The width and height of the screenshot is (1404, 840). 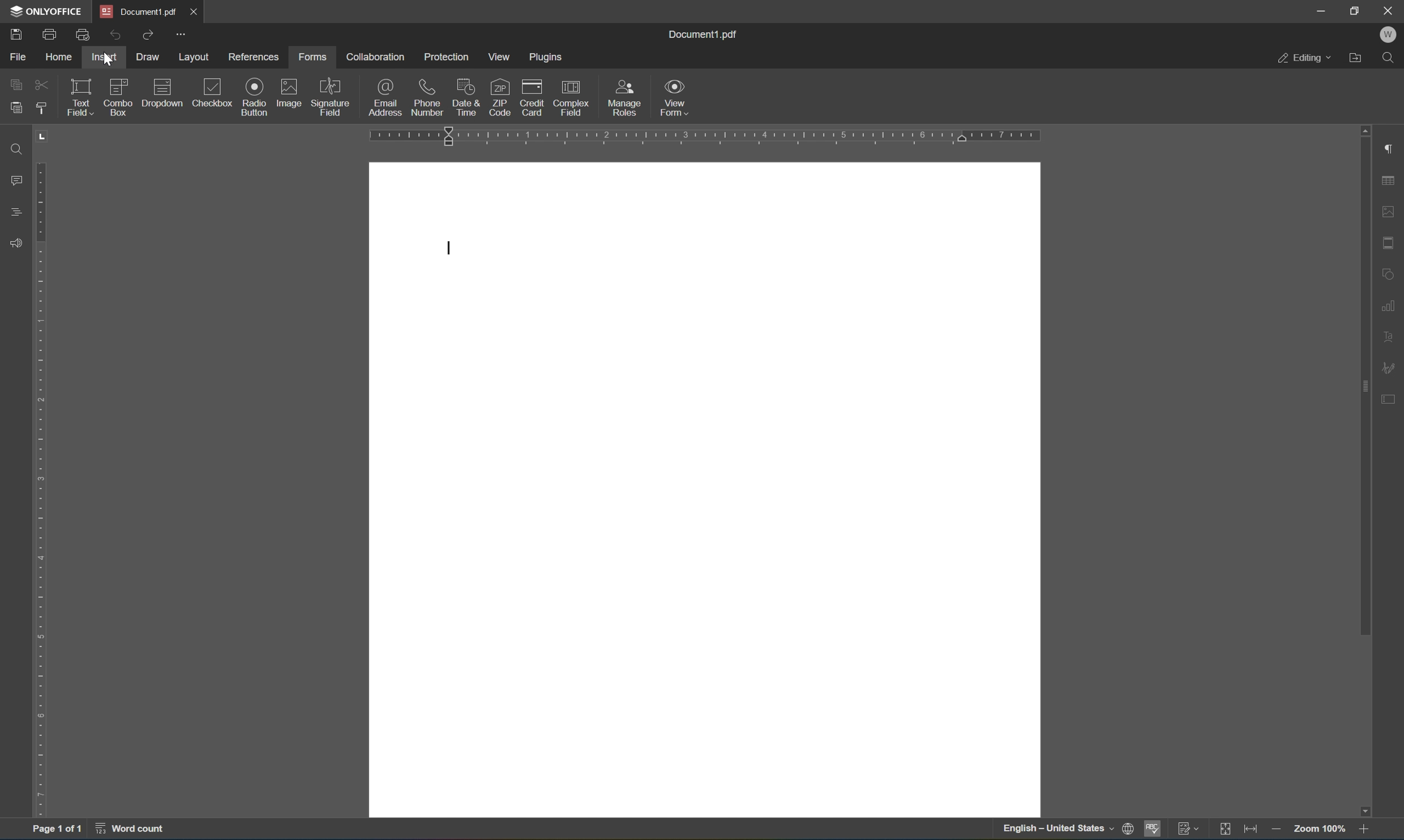 What do you see at coordinates (702, 35) in the screenshot?
I see `document1.pdf` at bounding box center [702, 35].